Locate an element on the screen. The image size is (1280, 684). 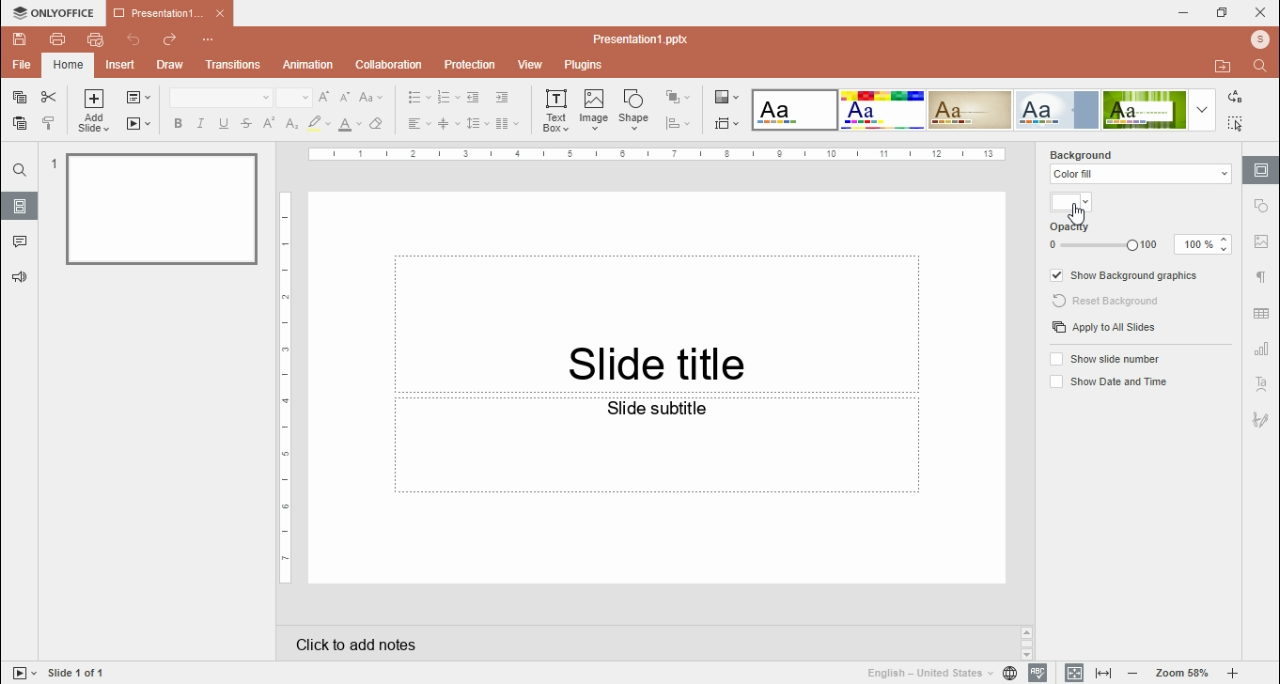
plugins is located at coordinates (585, 66).